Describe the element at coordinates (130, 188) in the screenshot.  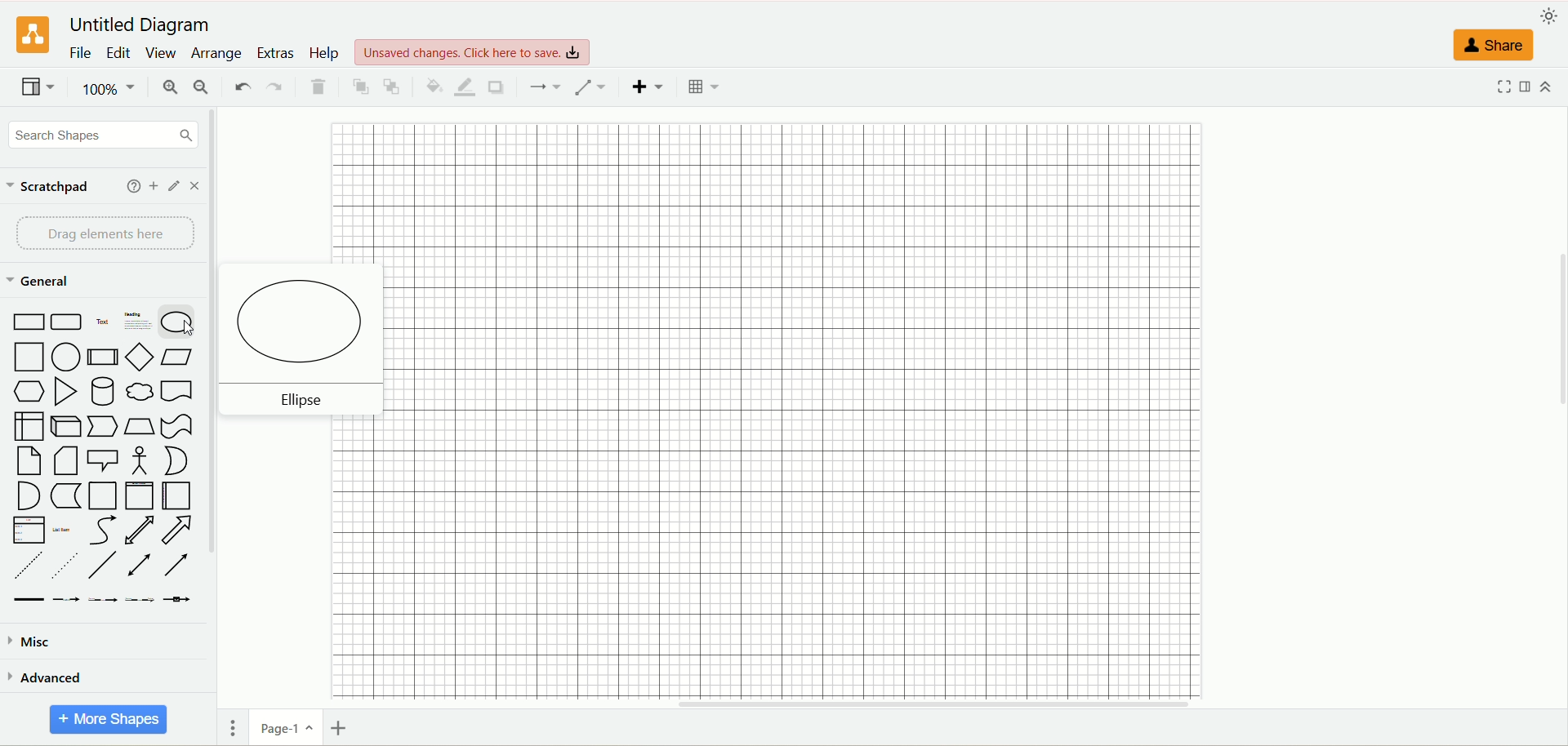
I see `help` at that location.